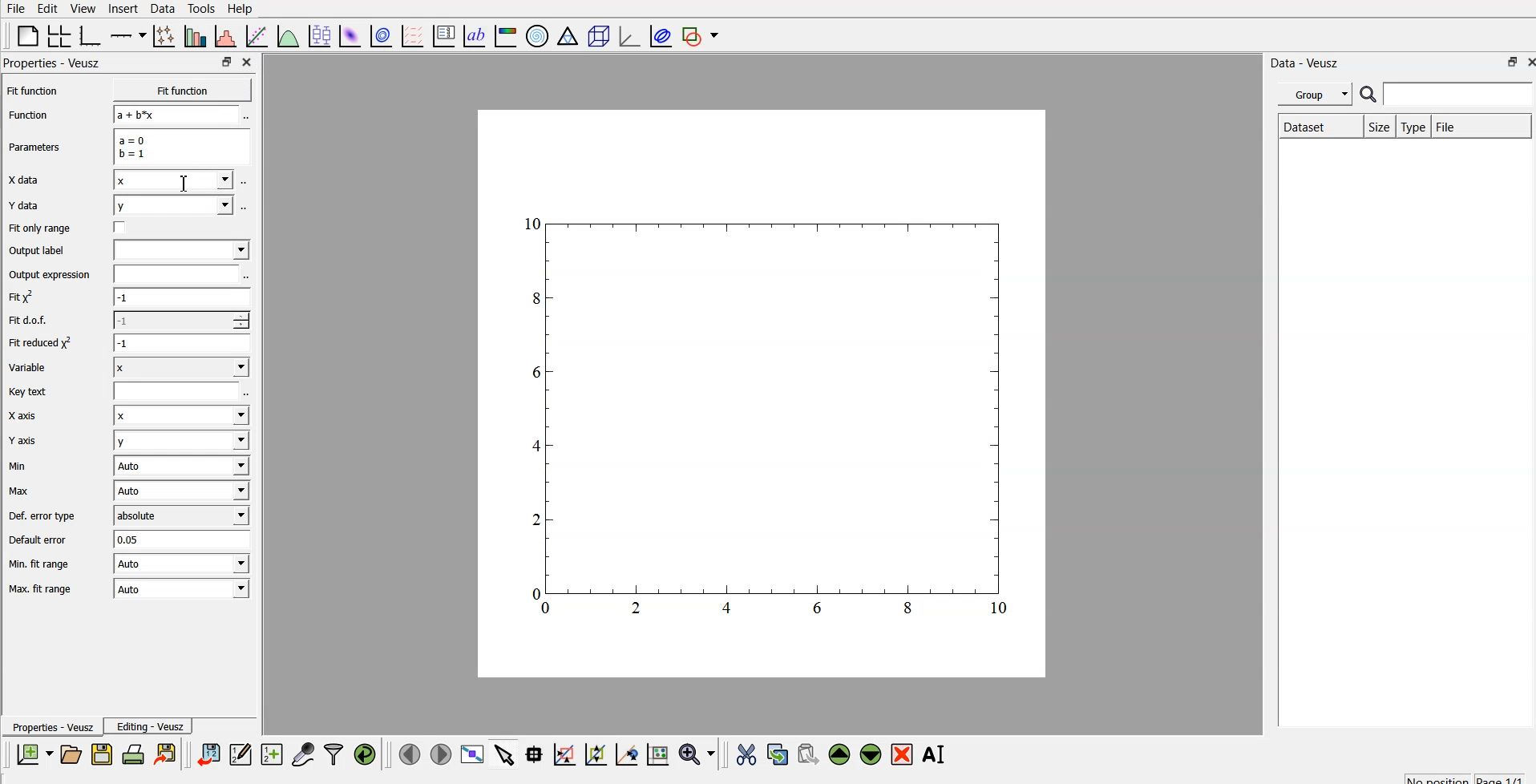 The height and width of the screenshot is (784, 1536). Describe the element at coordinates (39, 464) in the screenshot. I see `Min` at that location.